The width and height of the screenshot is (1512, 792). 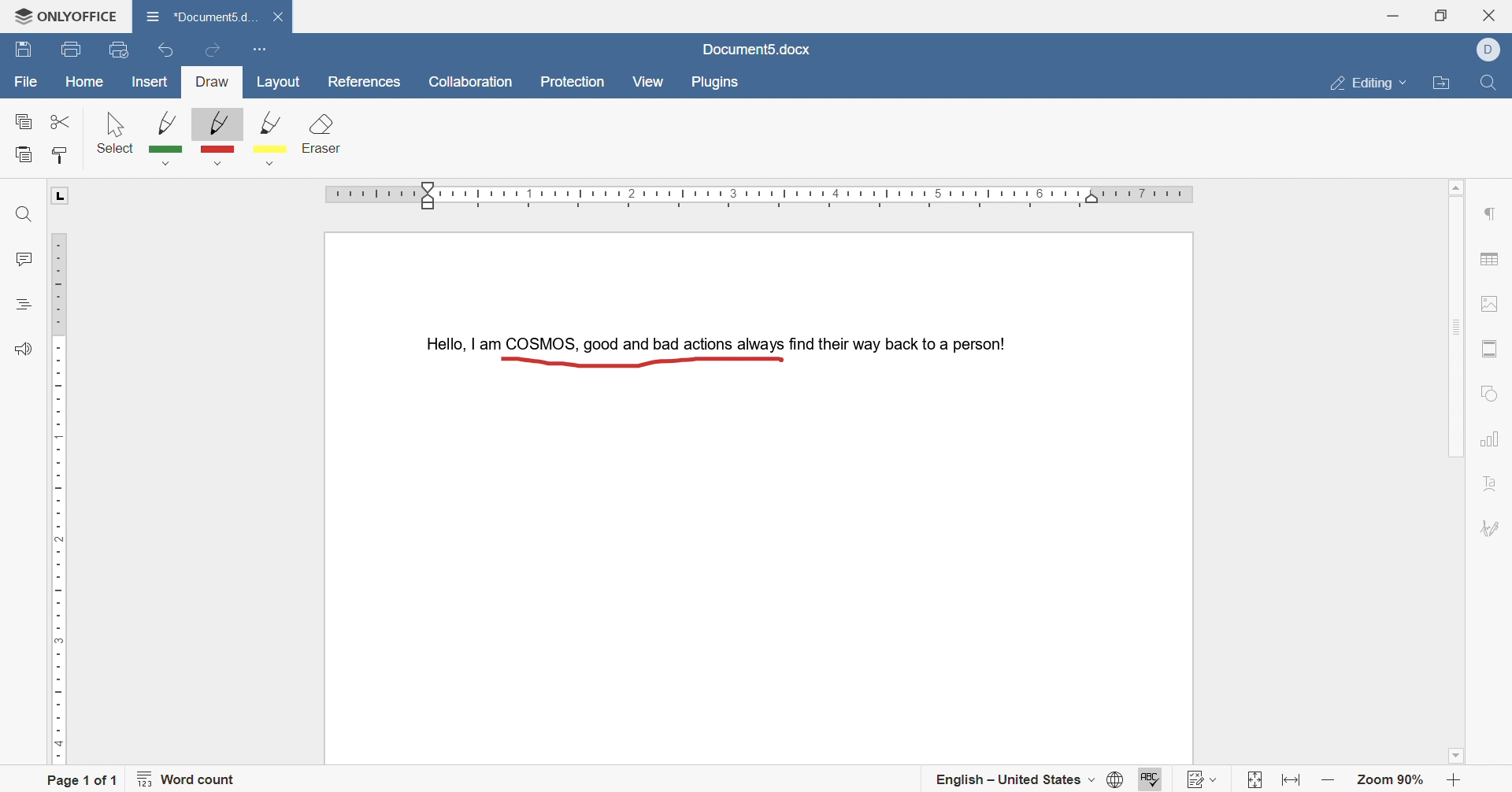 What do you see at coordinates (1293, 783) in the screenshot?
I see `fit to width` at bounding box center [1293, 783].